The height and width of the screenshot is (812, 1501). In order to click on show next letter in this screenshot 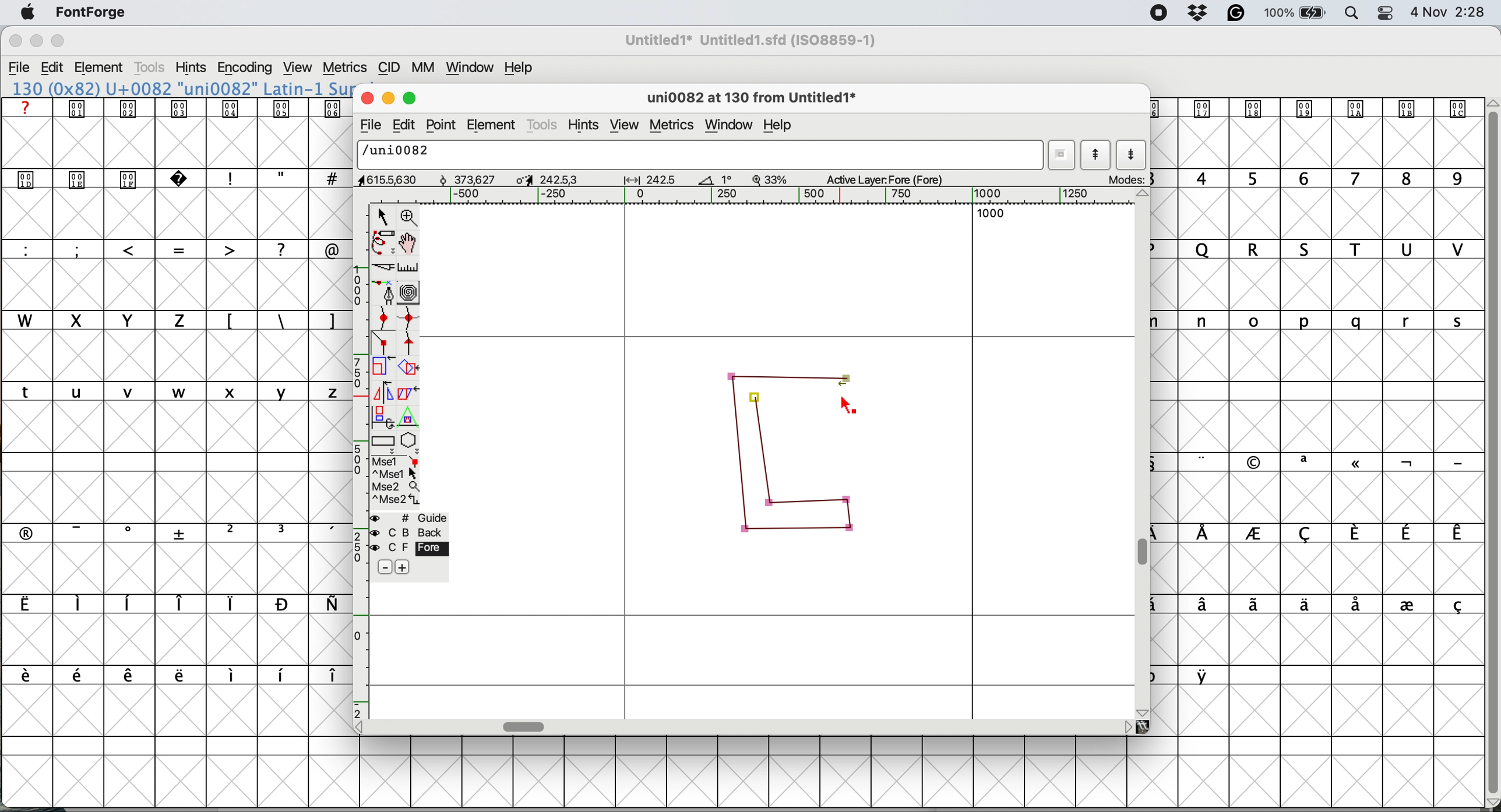, I will do `click(1132, 156)`.